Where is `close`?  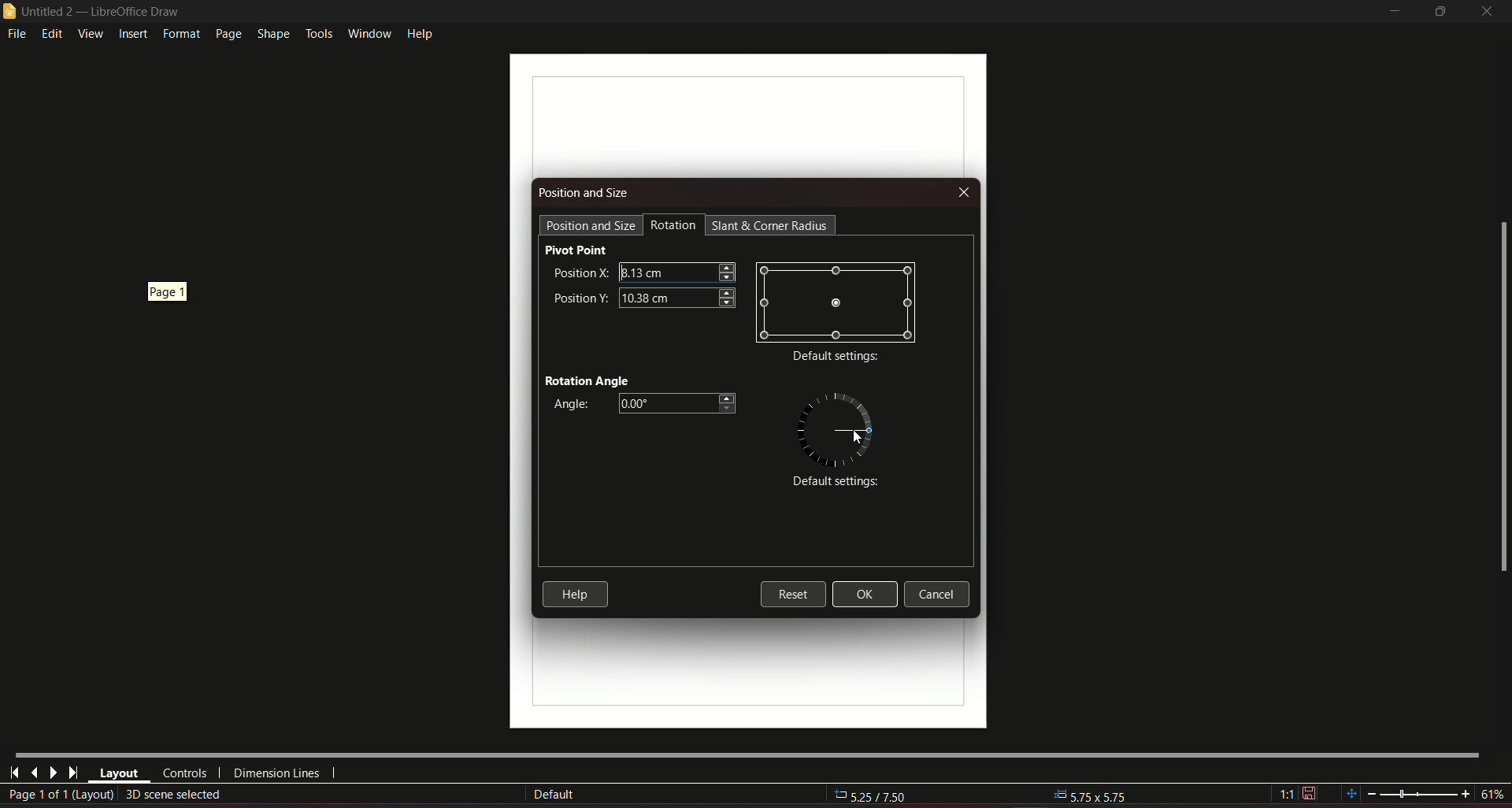
close is located at coordinates (1488, 11).